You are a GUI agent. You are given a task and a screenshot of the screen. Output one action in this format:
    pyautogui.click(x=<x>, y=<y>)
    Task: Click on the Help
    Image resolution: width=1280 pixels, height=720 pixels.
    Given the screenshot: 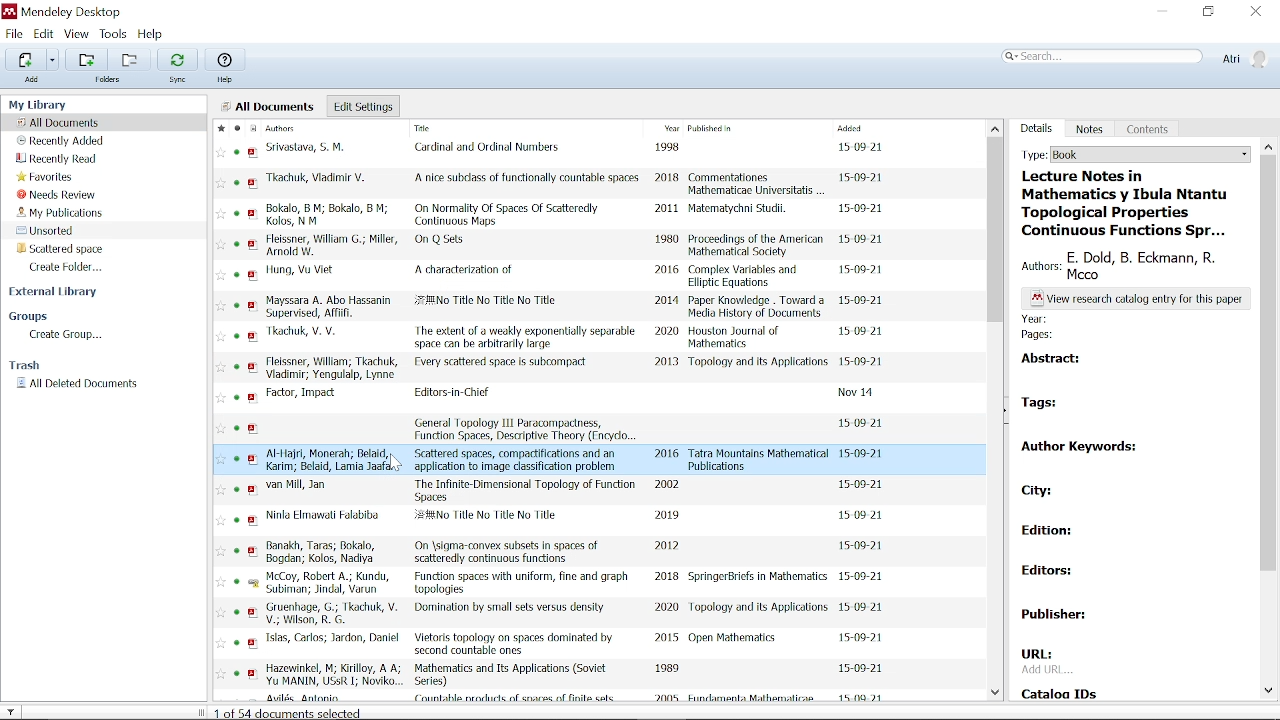 What is the action you would take?
    pyautogui.click(x=225, y=59)
    